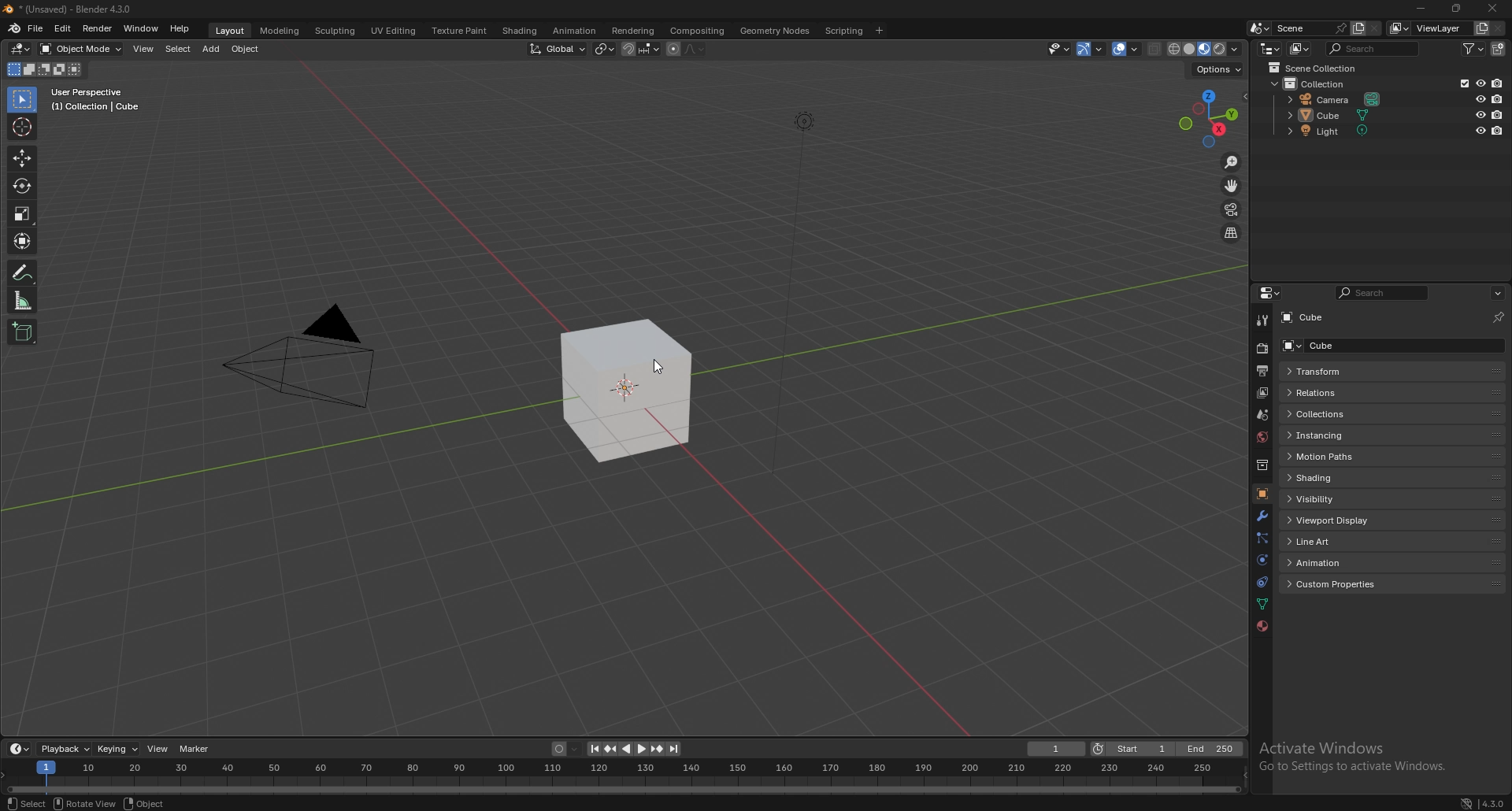  Describe the element at coordinates (1335, 562) in the screenshot. I see `animation` at that location.